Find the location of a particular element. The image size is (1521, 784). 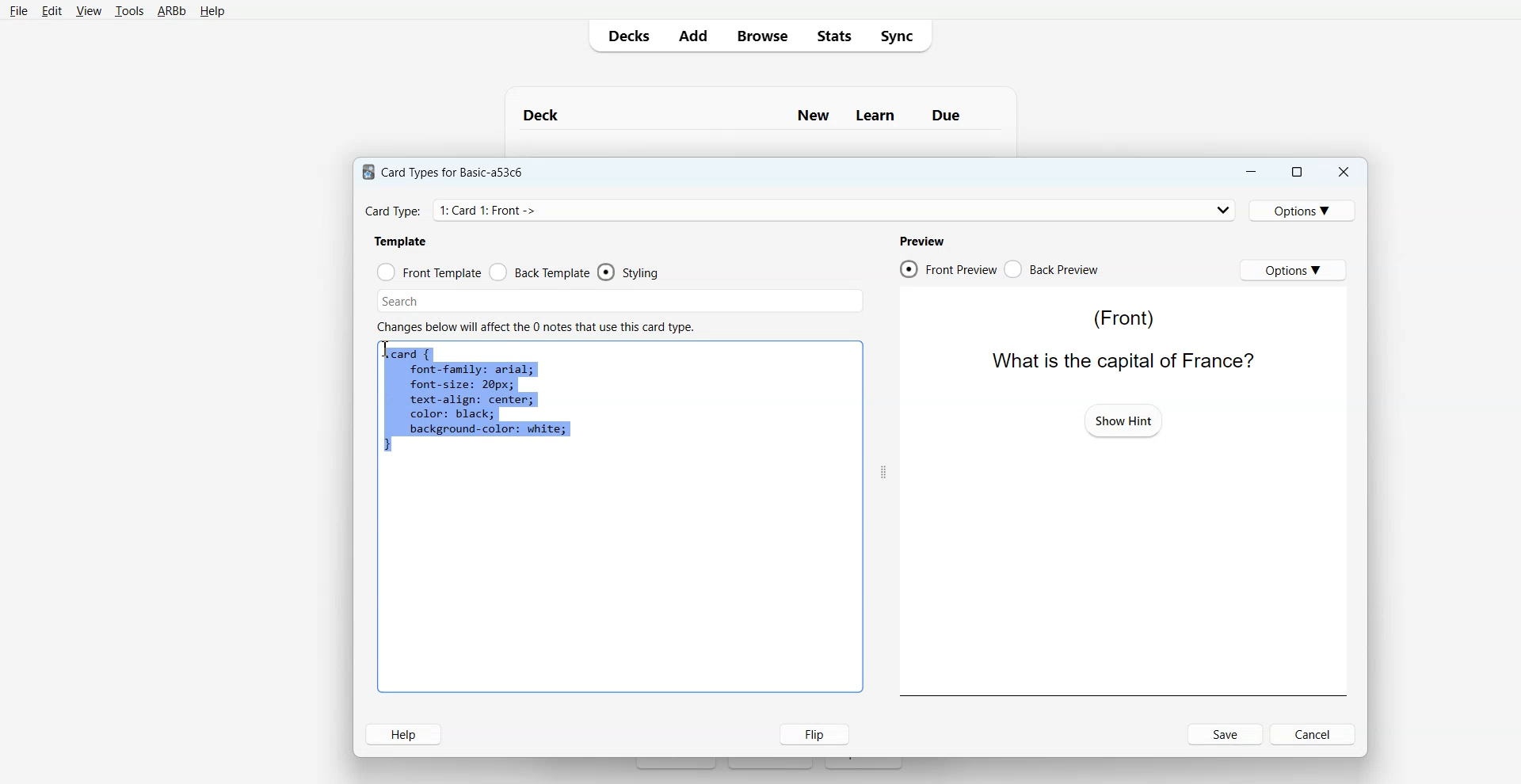

Stats is located at coordinates (833, 35).